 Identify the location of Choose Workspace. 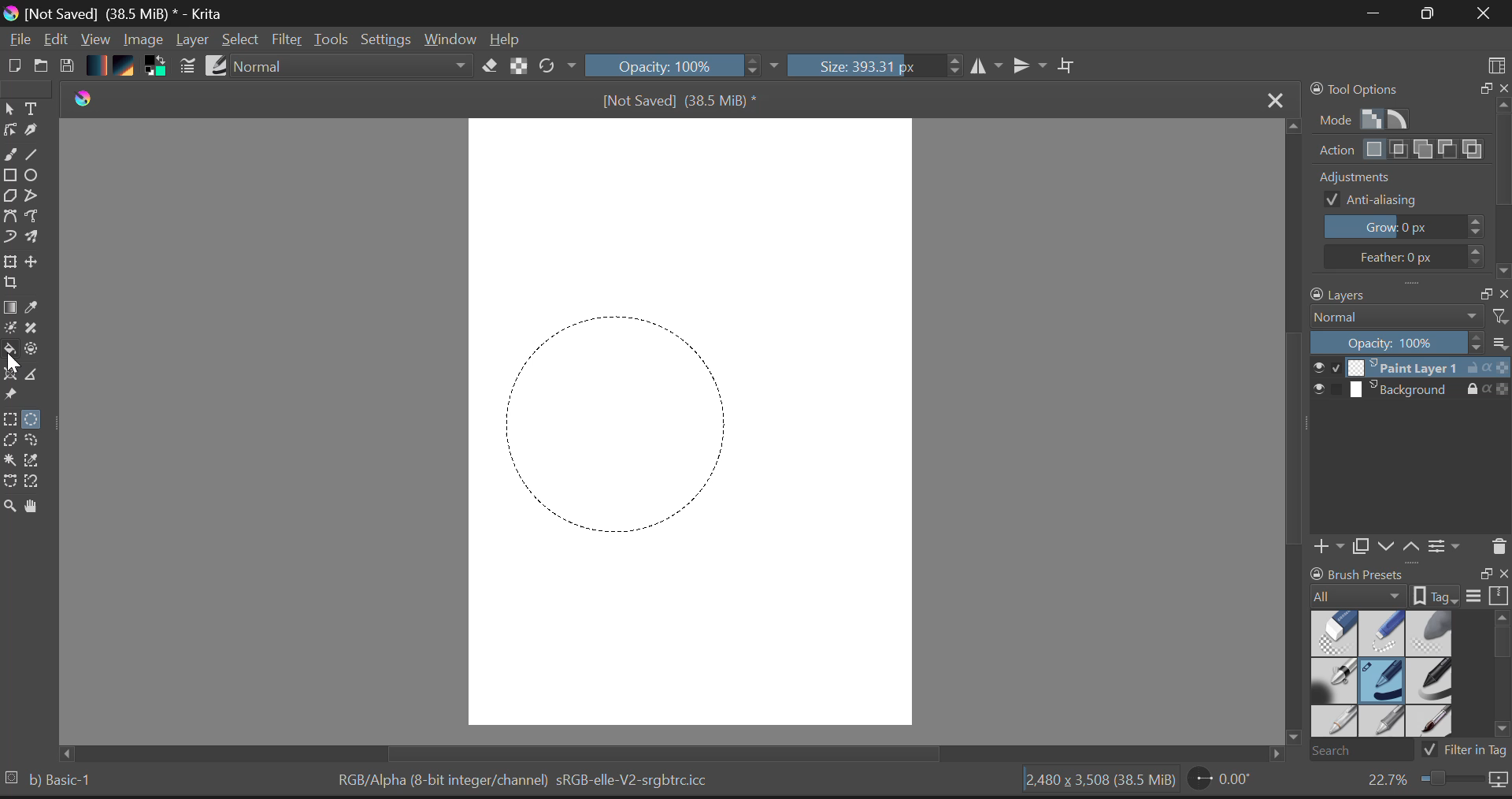
(1496, 60).